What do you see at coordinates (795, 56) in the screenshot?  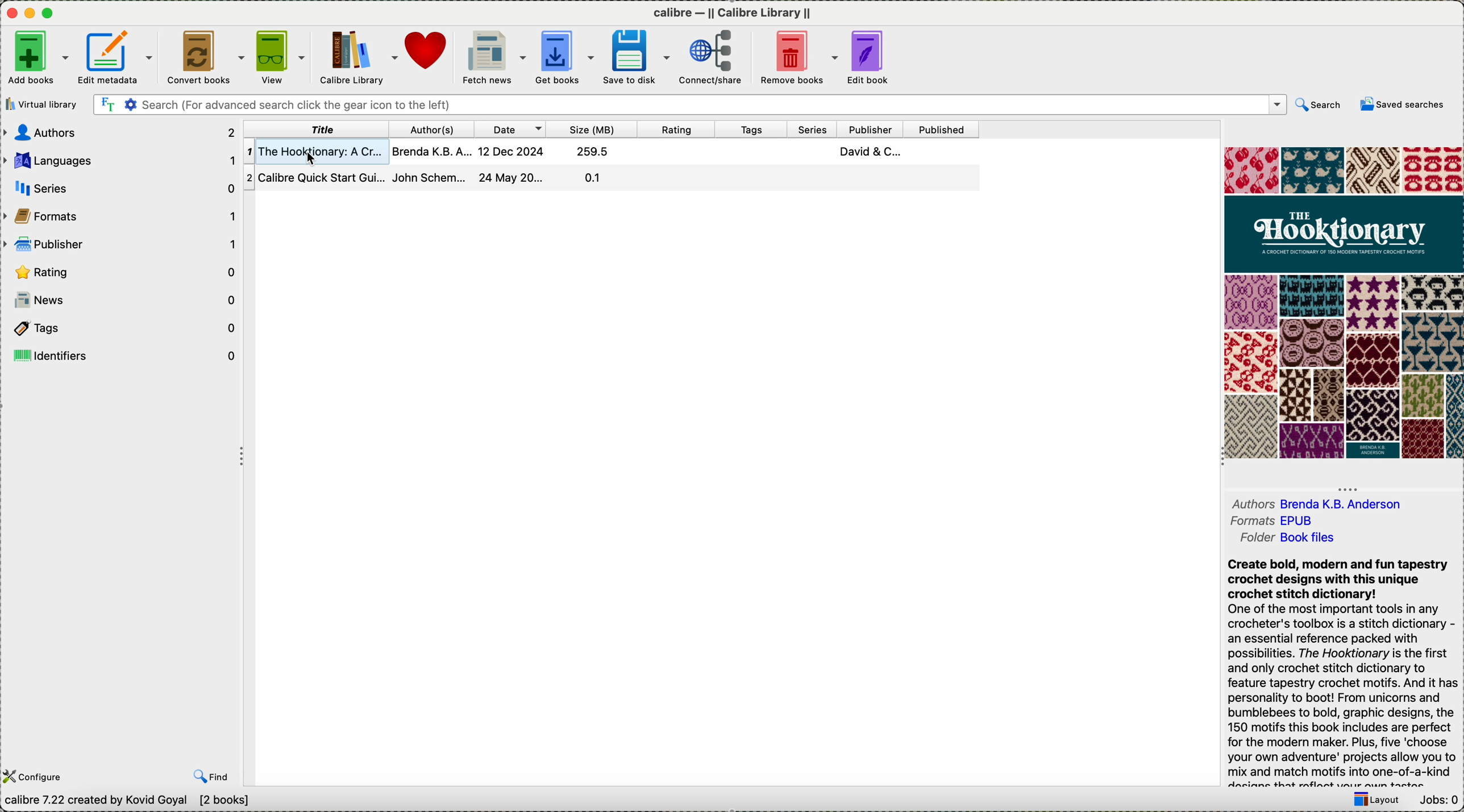 I see `remove books` at bounding box center [795, 56].